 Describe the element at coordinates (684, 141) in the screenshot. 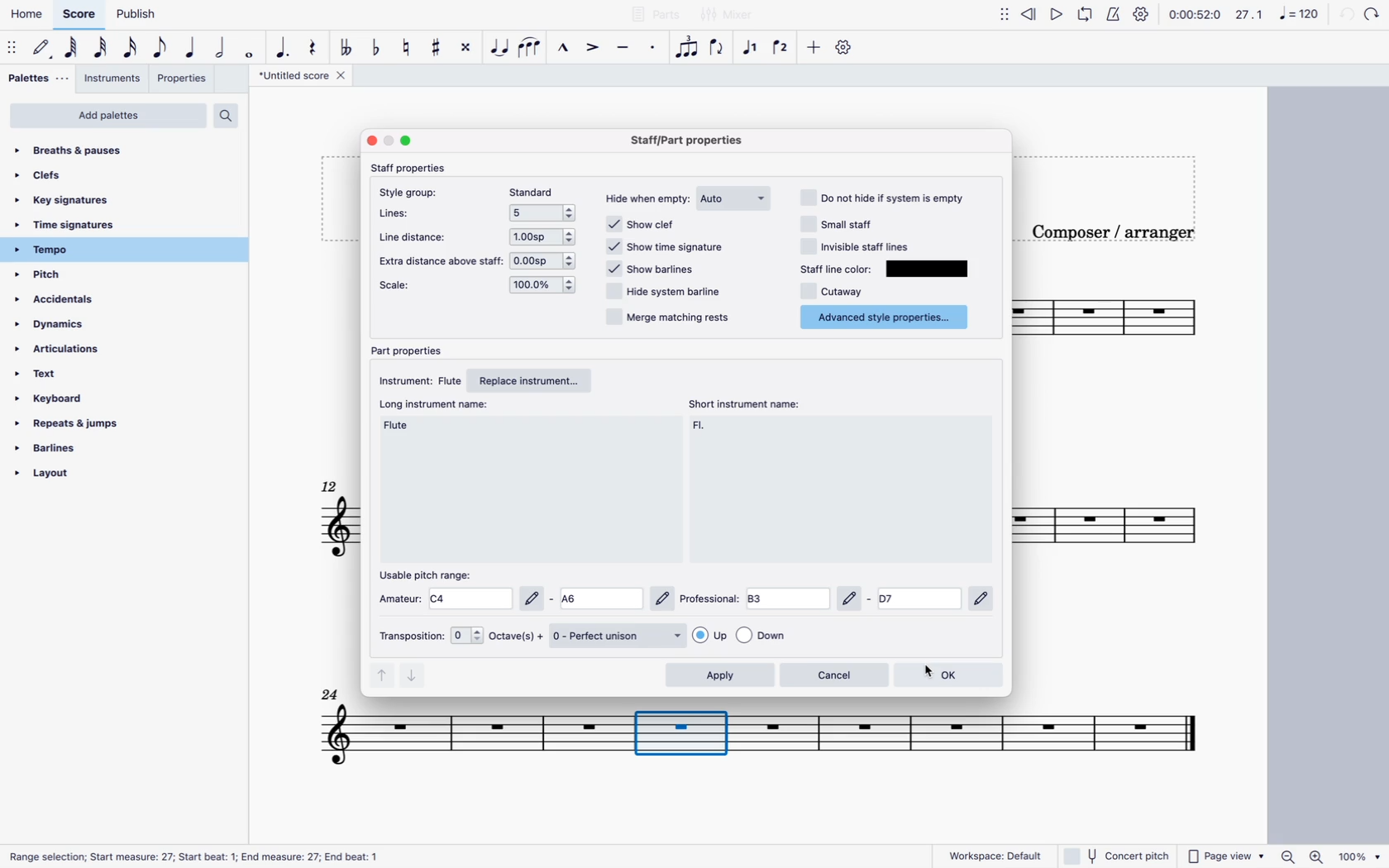

I see `Staff/part properties` at that location.